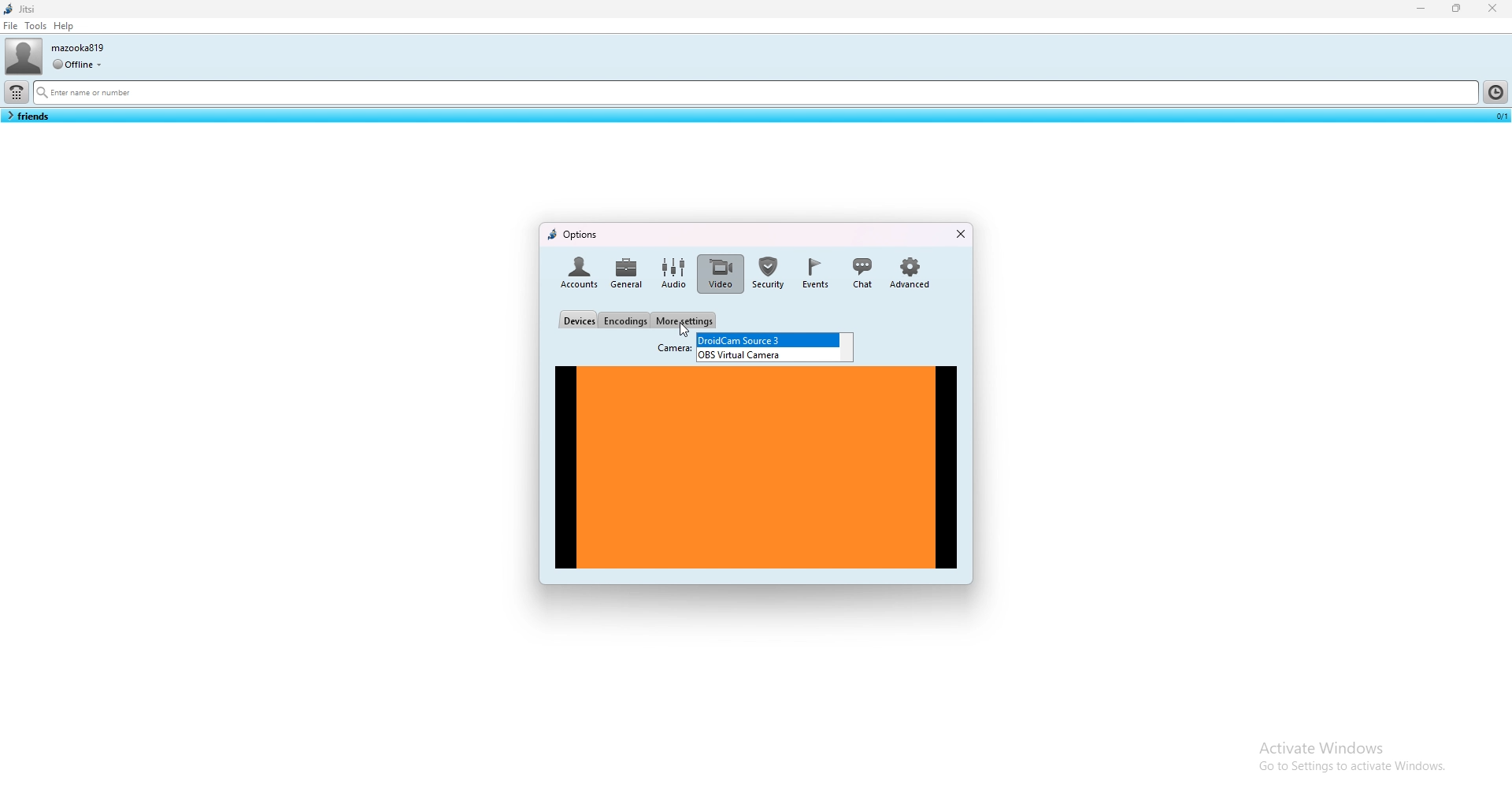 This screenshot has width=1512, height=811. Describe the element at coordinates (35, 25) in the screenshot. I see `tools` at that location.